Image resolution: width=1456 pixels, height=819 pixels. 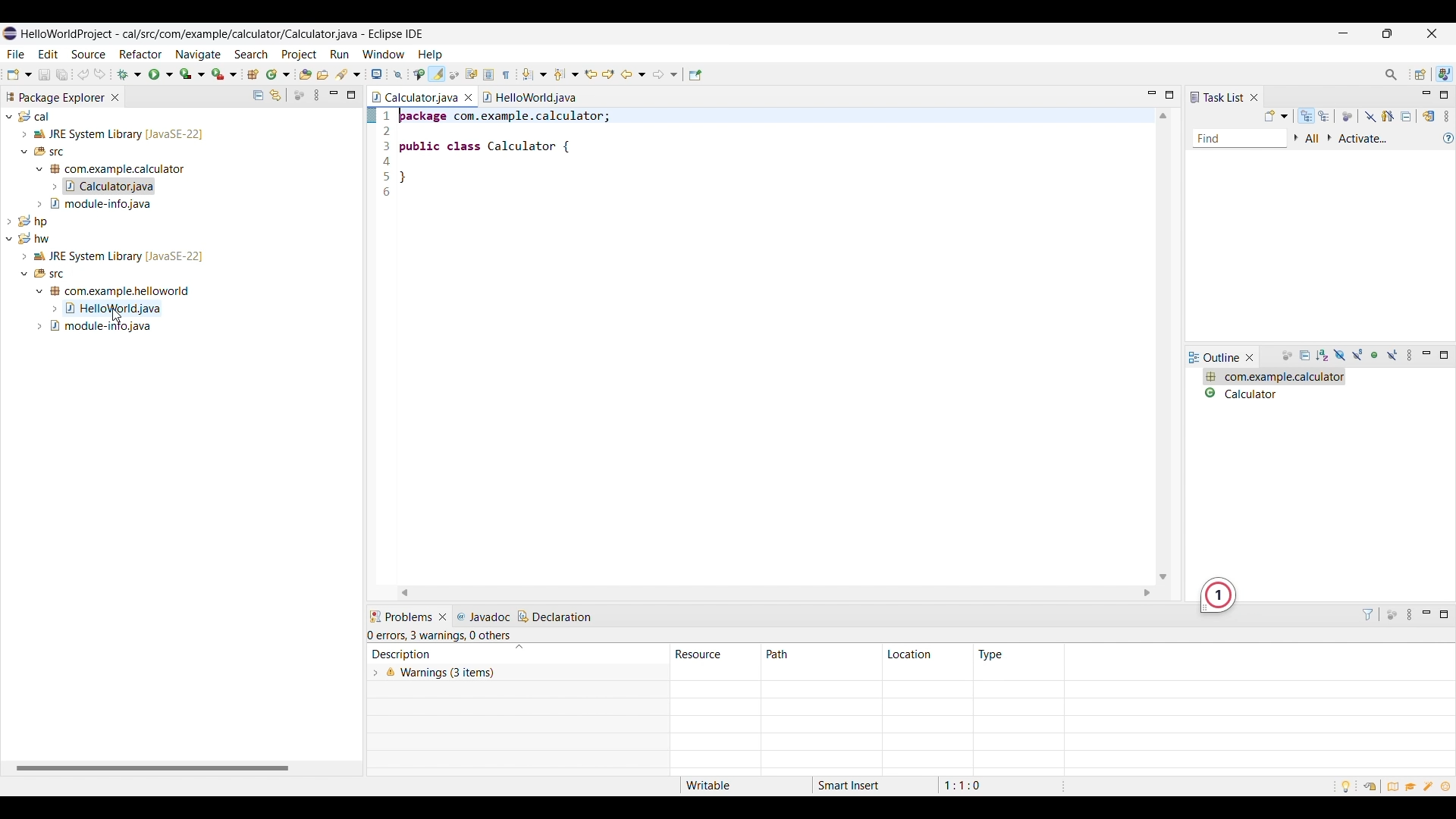 I want to click on Refactor, so click(x=140, y=54).